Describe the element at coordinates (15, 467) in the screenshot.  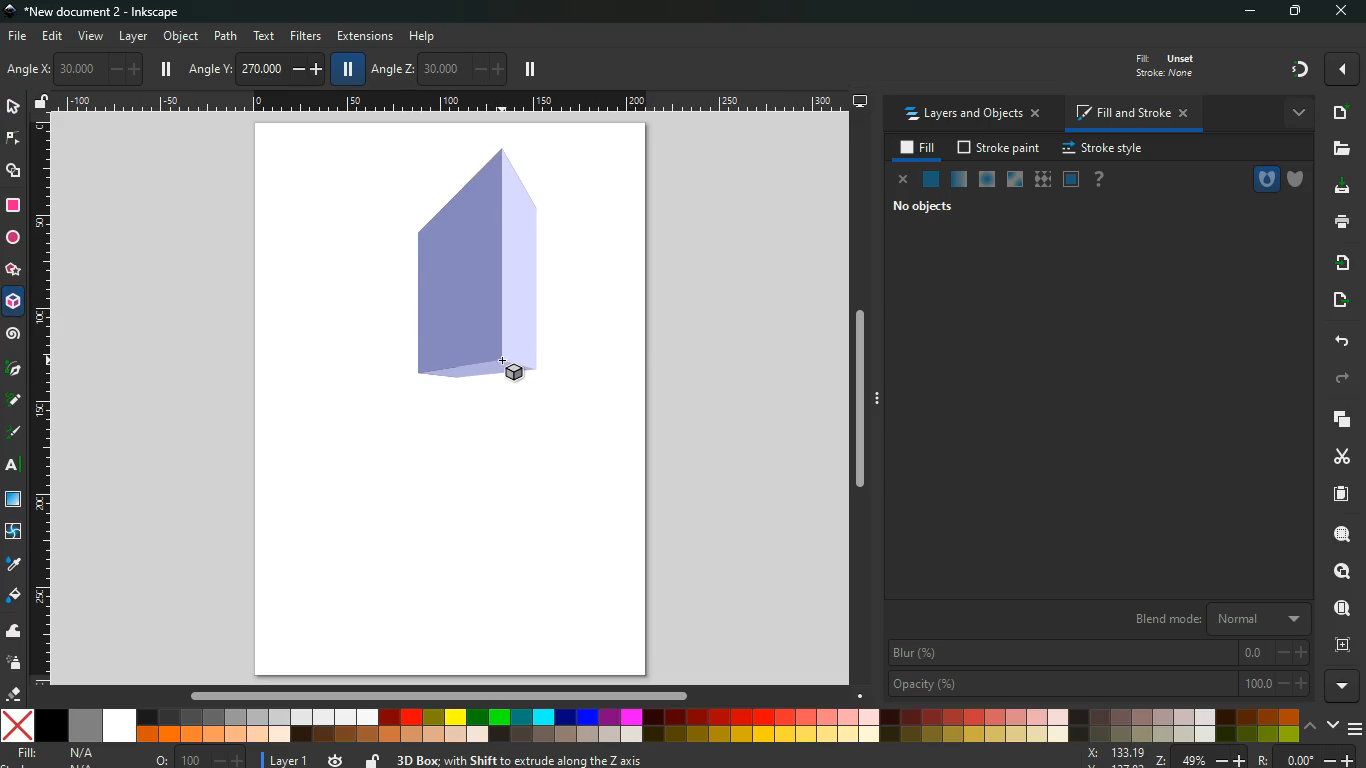
I see `text` at that location.